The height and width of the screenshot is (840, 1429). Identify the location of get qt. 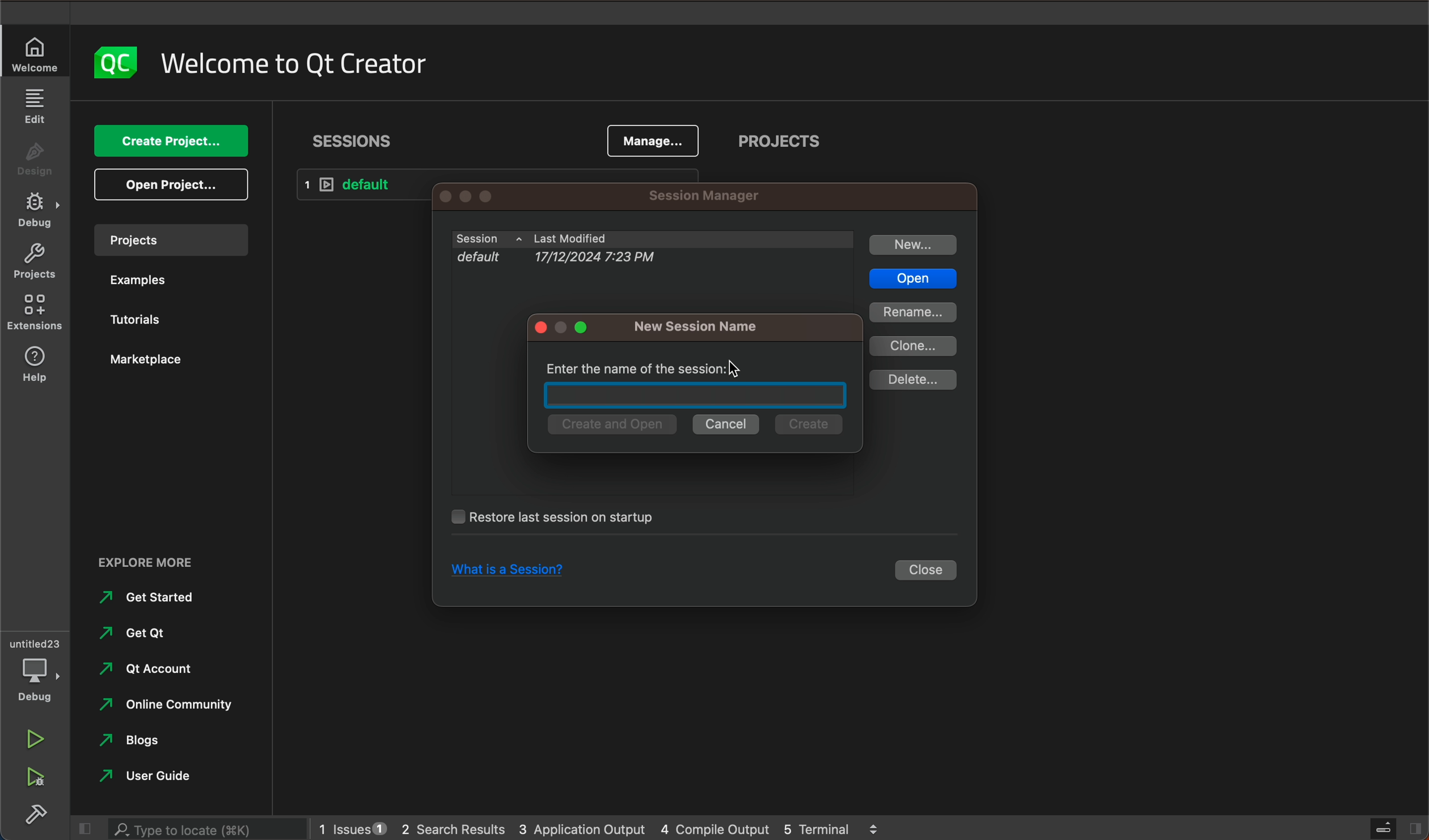
(136, 633).